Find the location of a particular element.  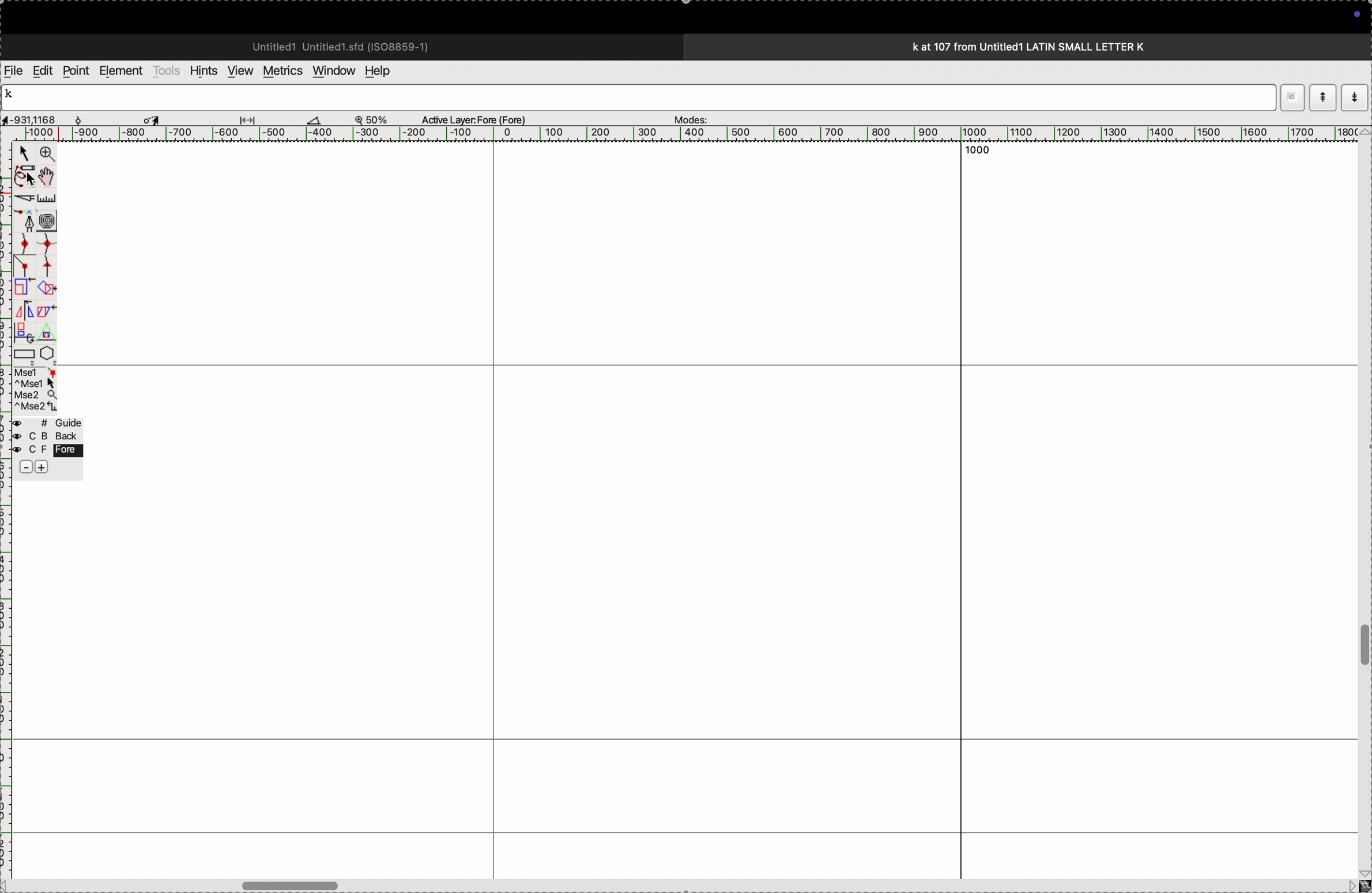

toggle is located at coordinates (1363, 646).